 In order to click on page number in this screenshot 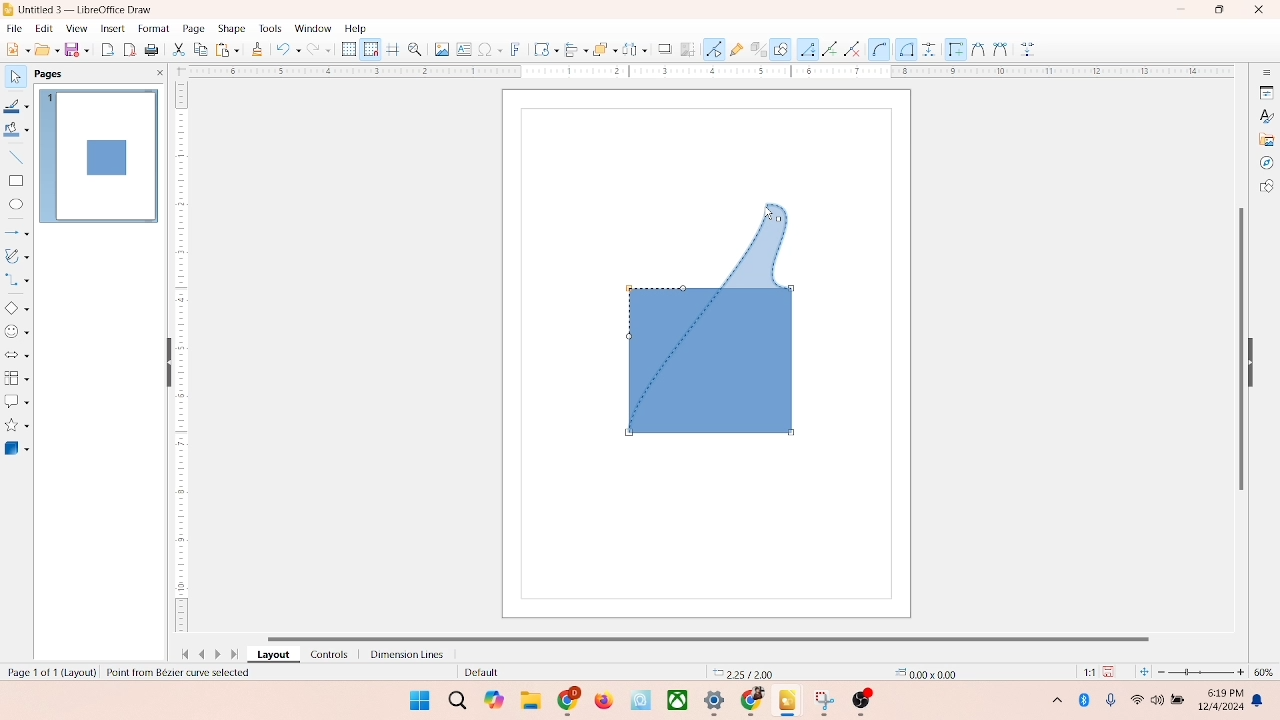, I will do `click(49, 671)`.